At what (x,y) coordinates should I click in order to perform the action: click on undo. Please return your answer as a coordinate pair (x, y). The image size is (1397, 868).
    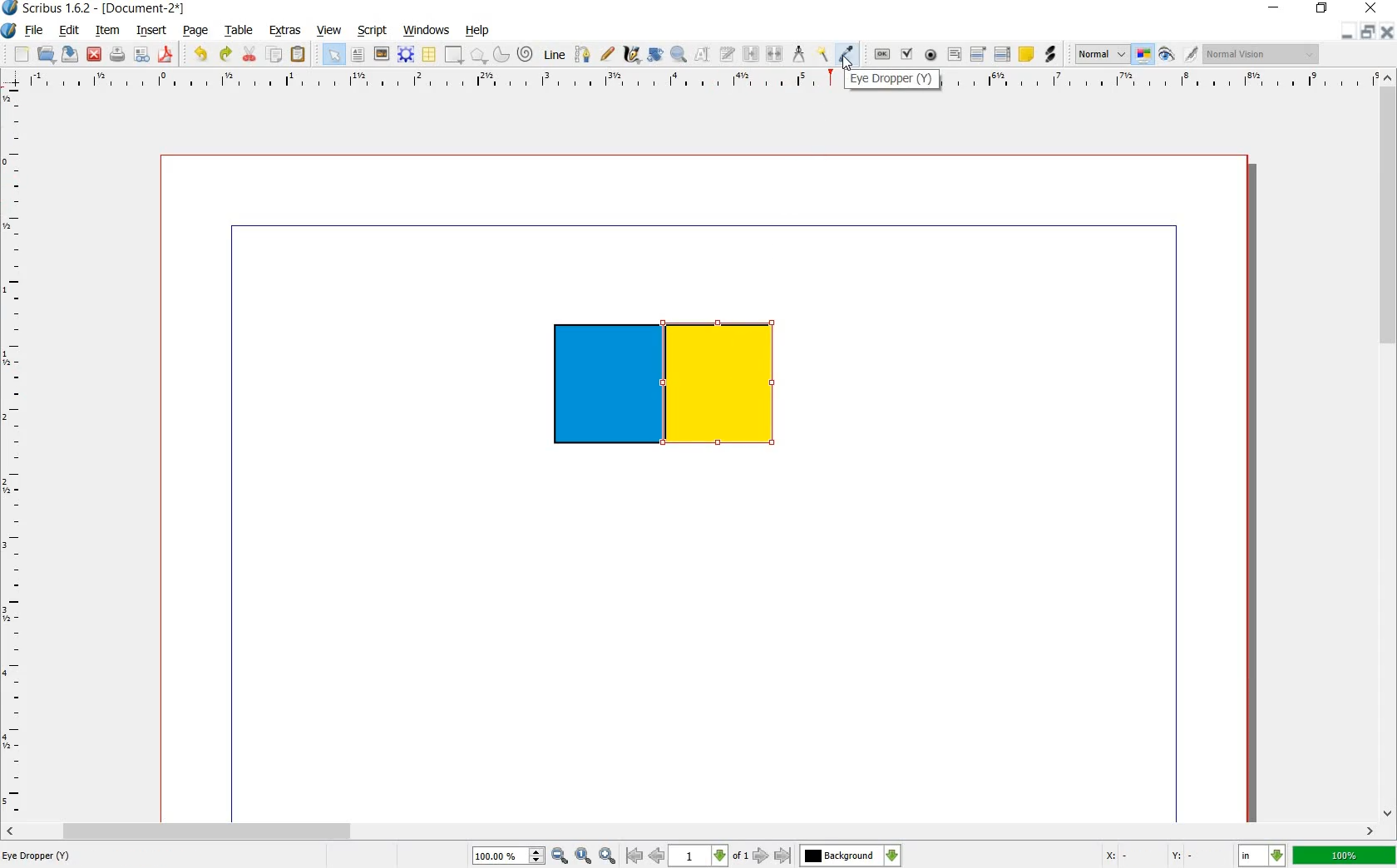
    Looking at the image, I should click on (200, 56).